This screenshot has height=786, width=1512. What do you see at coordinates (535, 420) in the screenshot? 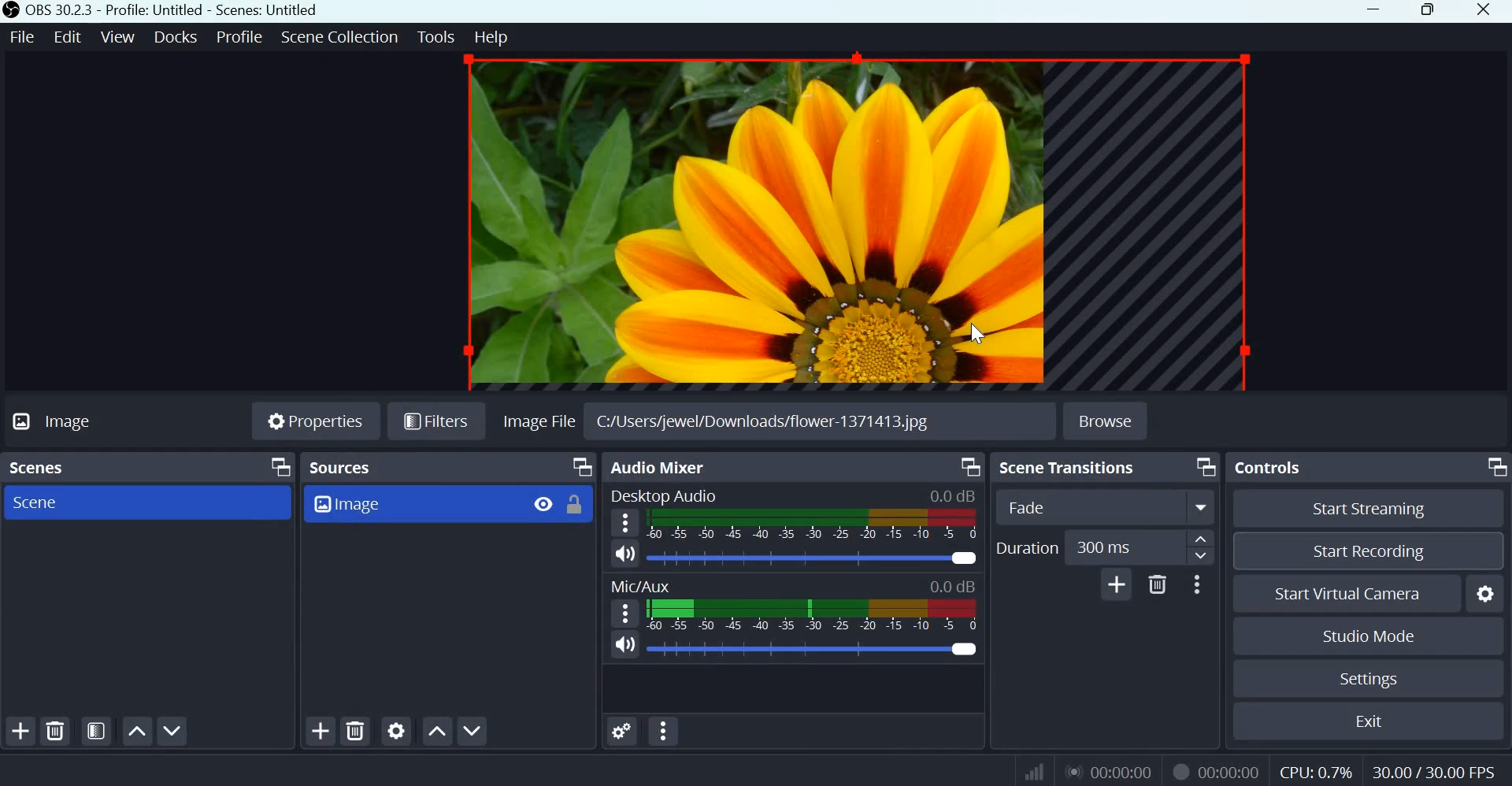
I see `Image File` at bounding box center [535, 420].